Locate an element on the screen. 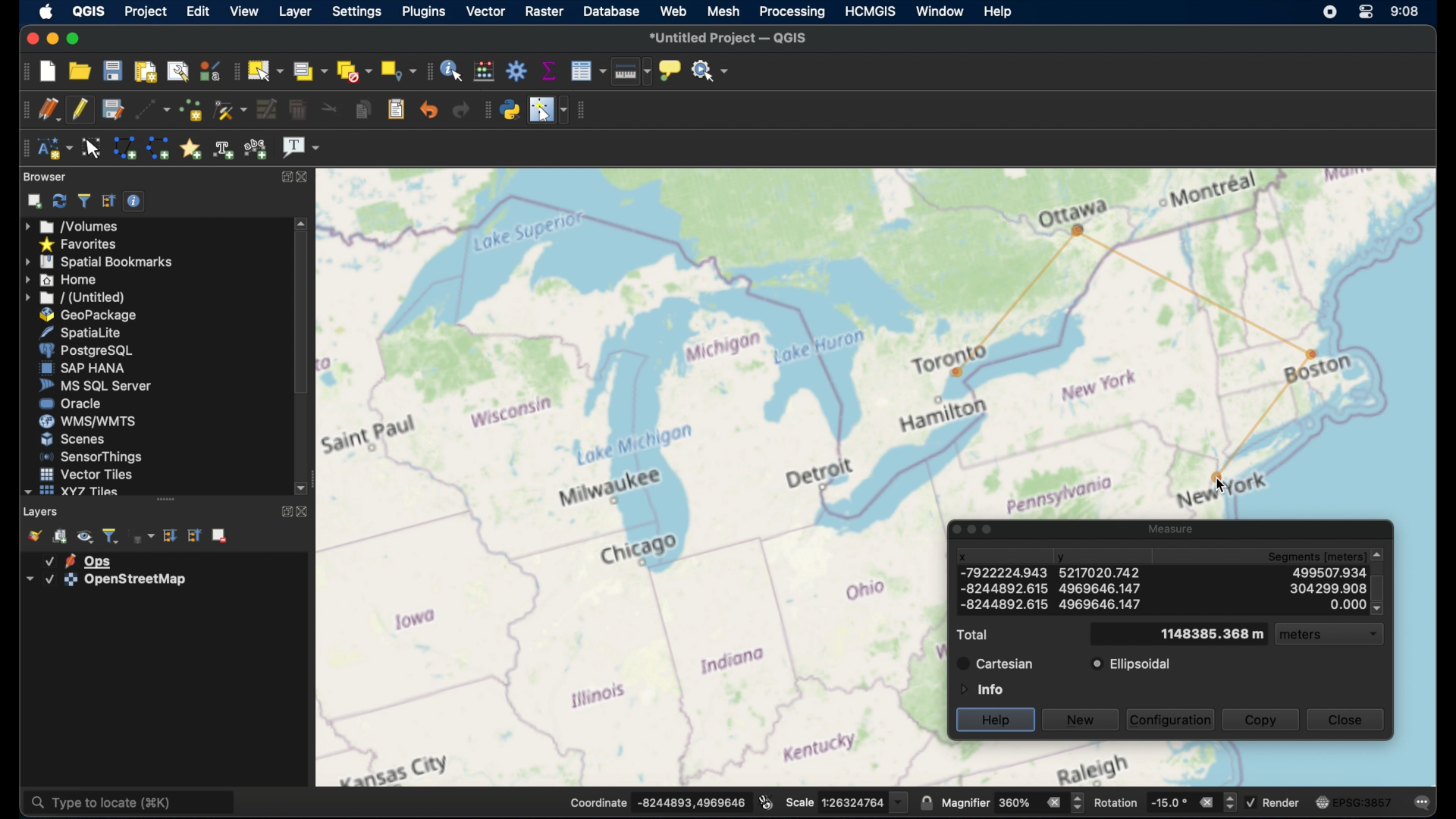  show layout manager is located at coordinates (177, 69).